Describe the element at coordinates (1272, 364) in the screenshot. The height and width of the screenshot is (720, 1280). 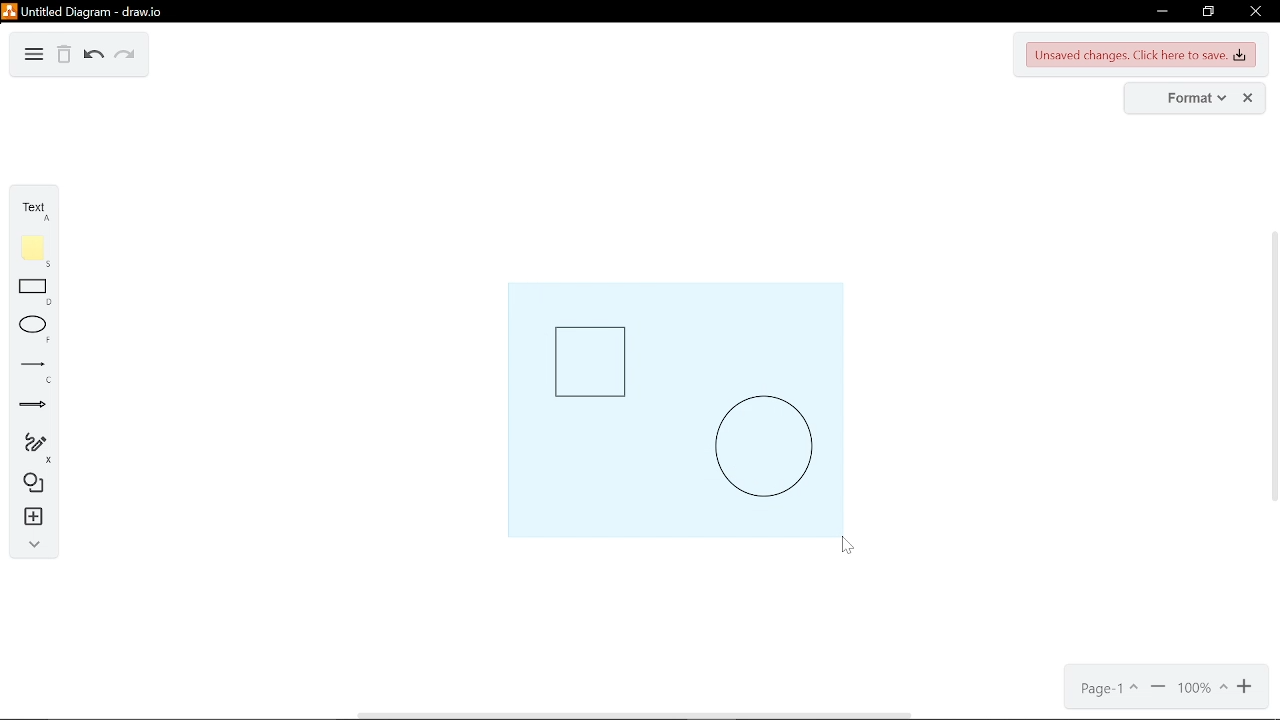
I see `vertical scrollbar` at that location.